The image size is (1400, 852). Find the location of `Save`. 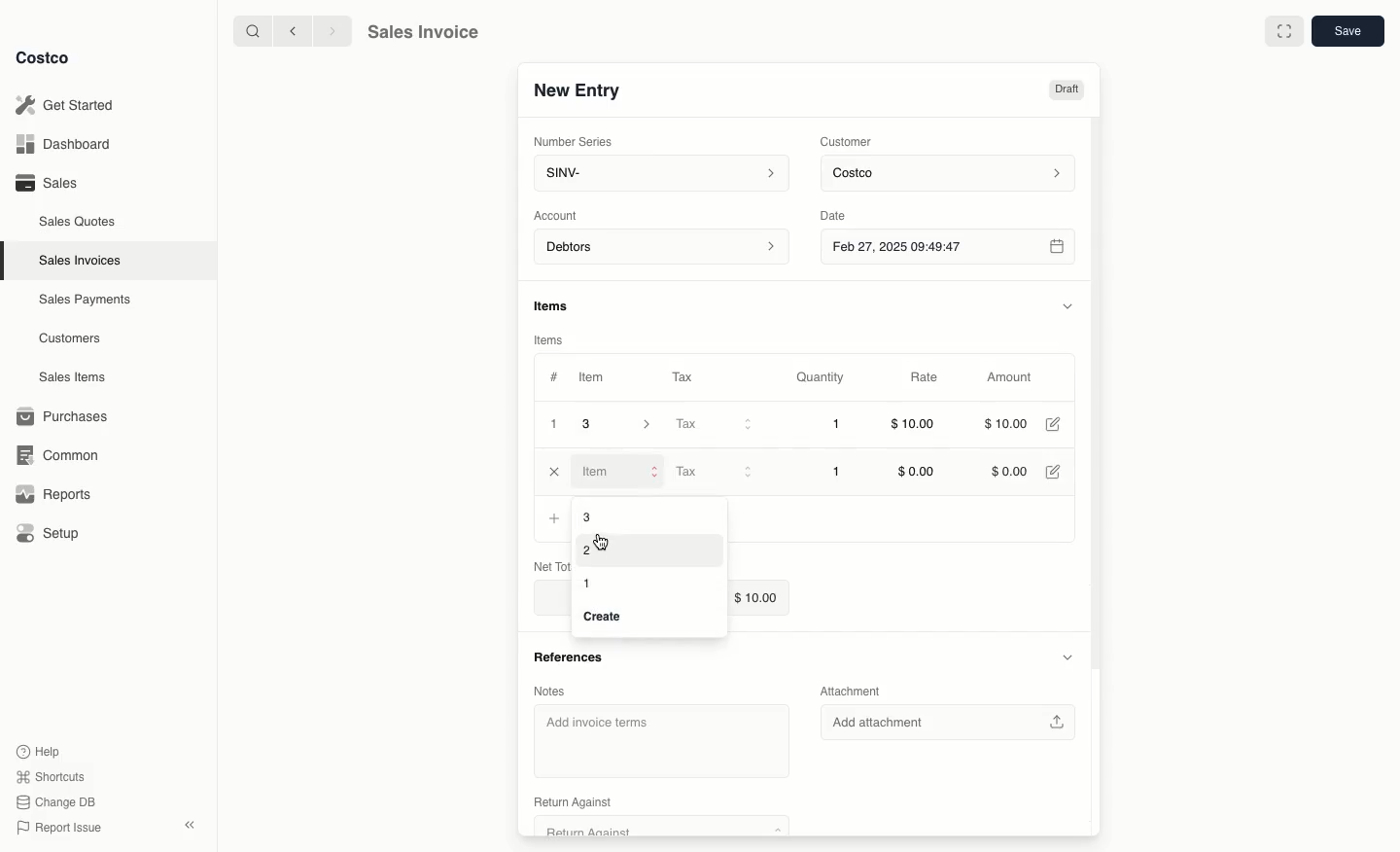

Save is located at coordinates (1347, 32).